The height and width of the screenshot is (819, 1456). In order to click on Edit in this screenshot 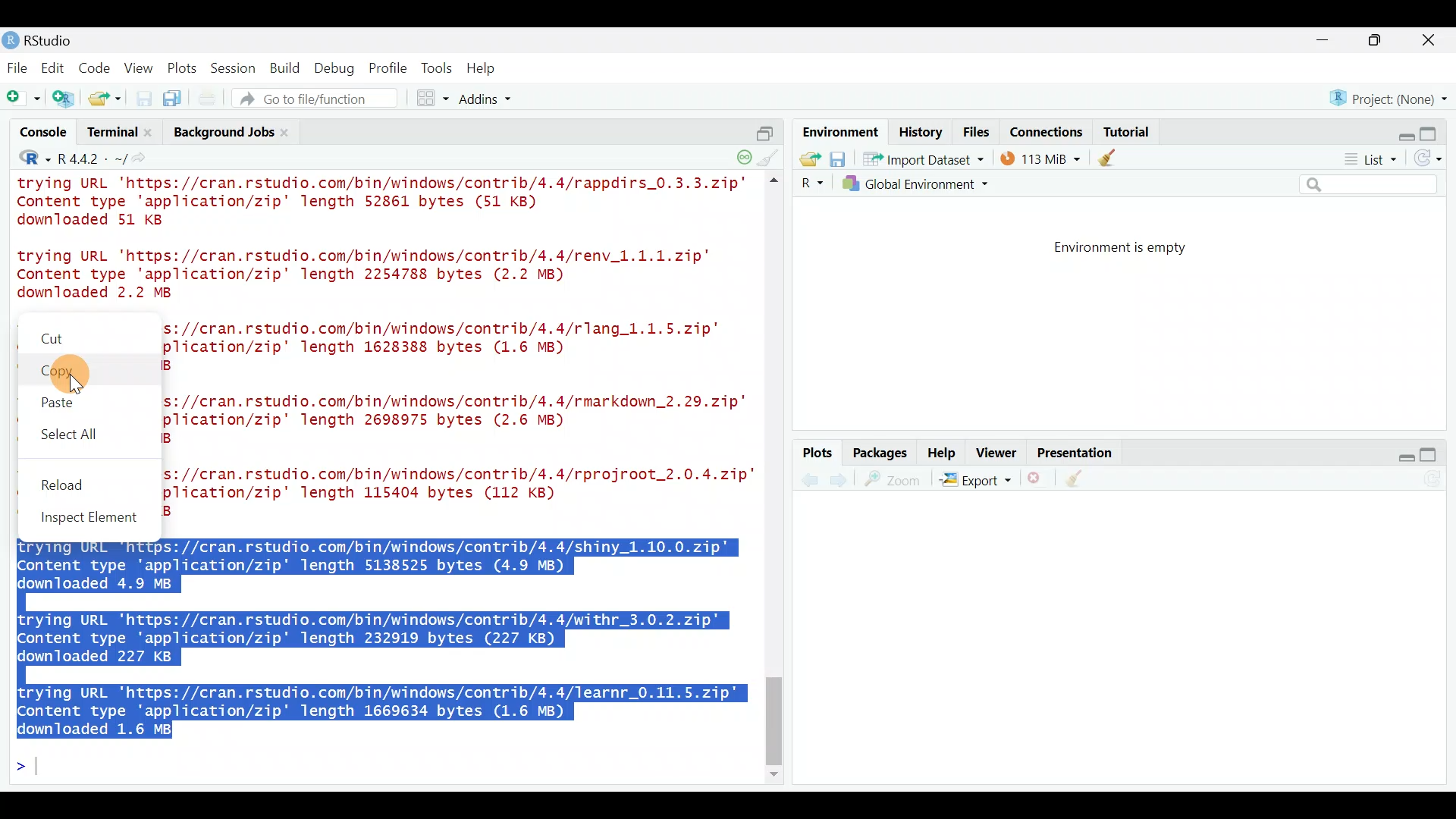, I will do `click(55, 69)`.